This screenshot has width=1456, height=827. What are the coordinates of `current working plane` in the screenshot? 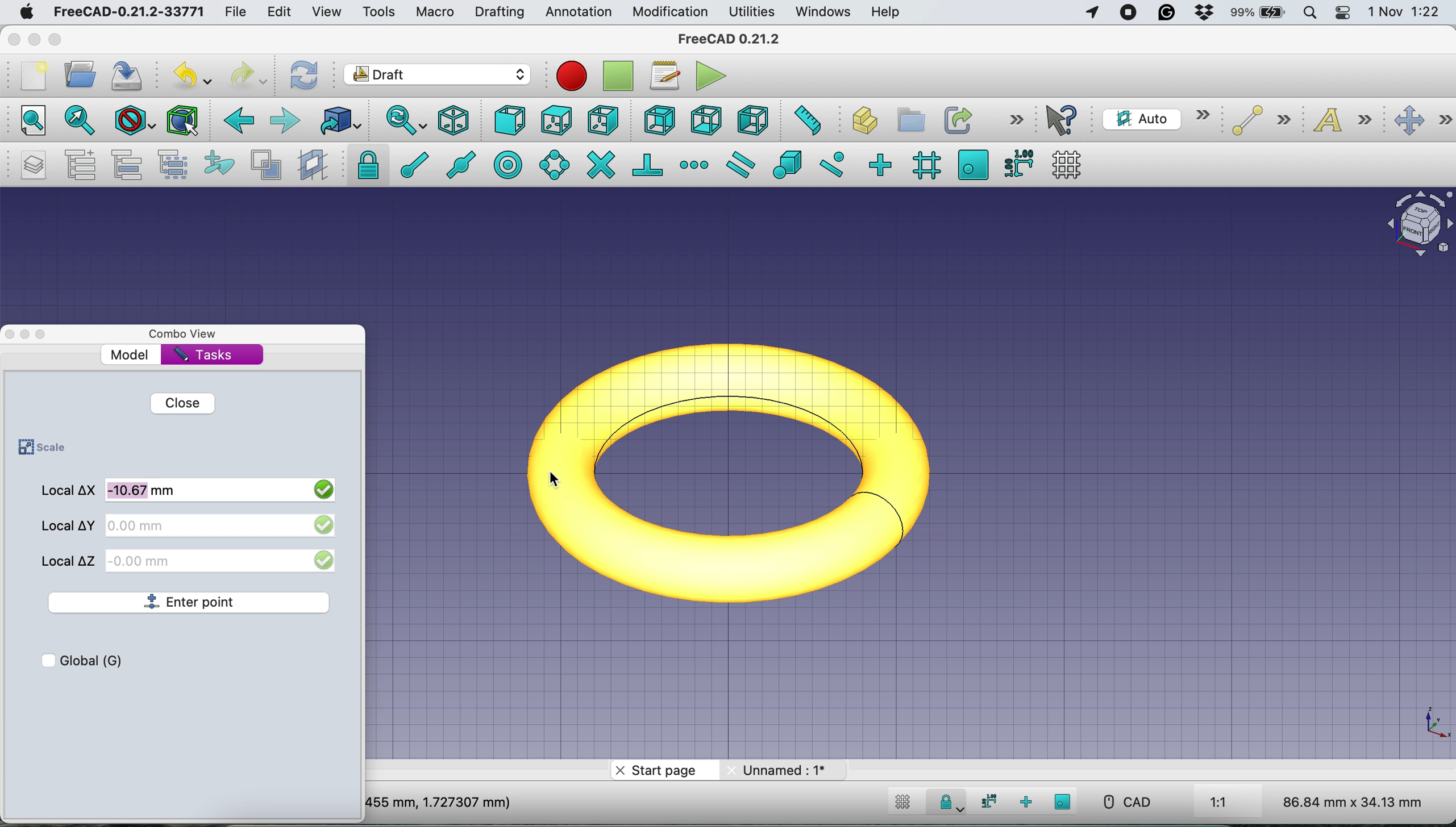 It's located at (1155, 118).